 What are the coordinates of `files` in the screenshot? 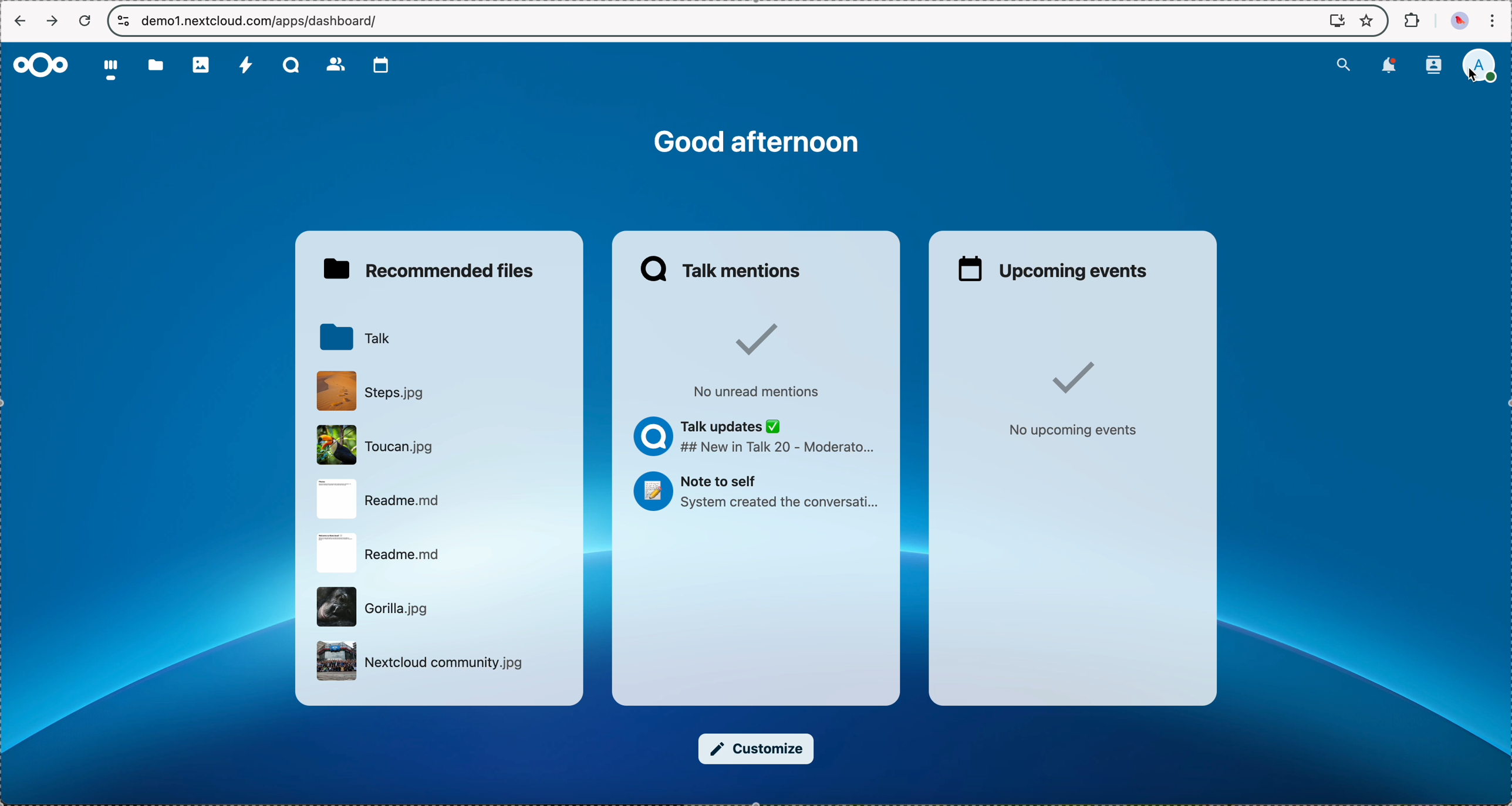 It's located at (157, 69).